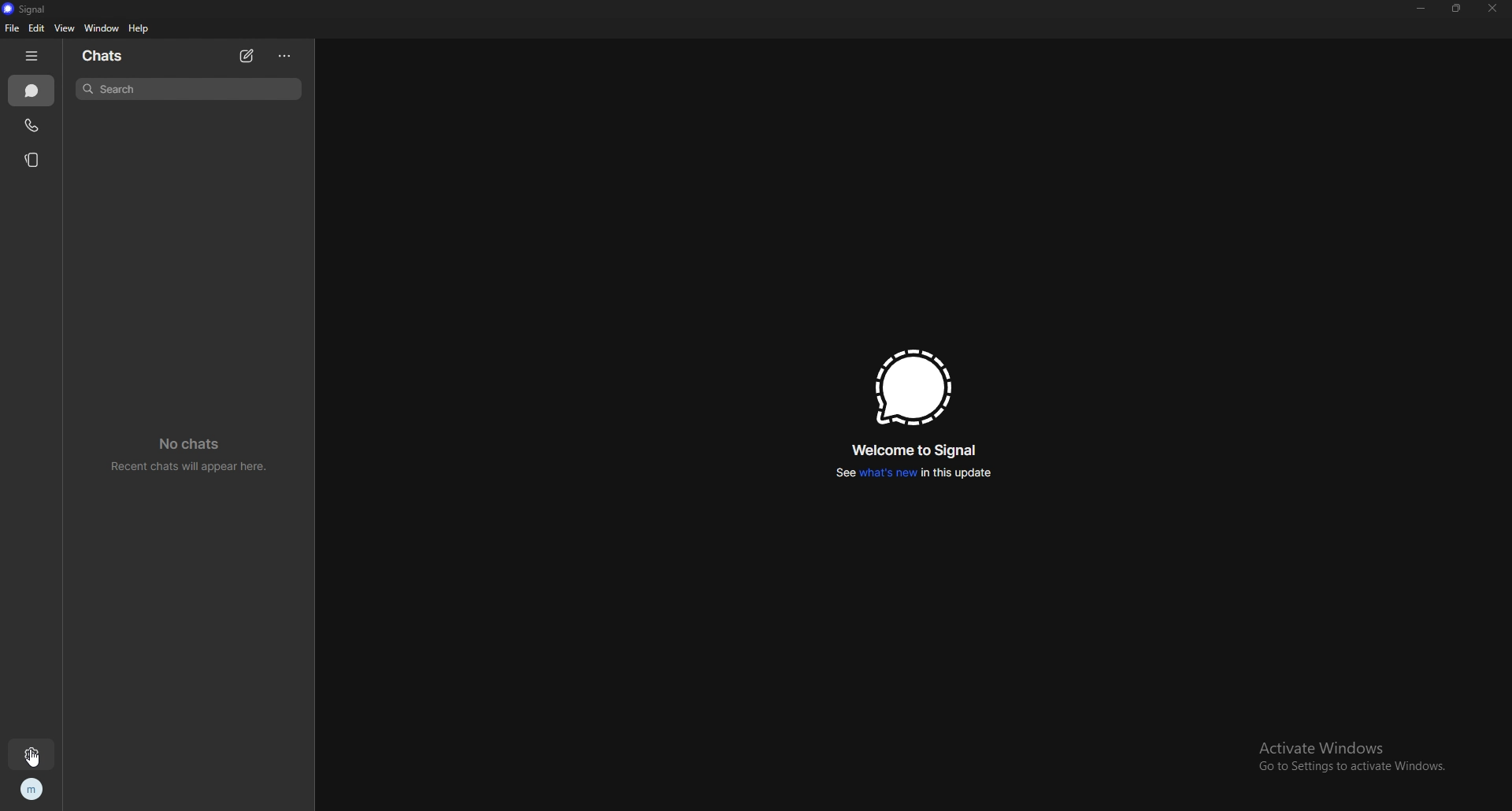  Describe the element at coordinates (11, 28) in the screenshot. I see `file` at that location.